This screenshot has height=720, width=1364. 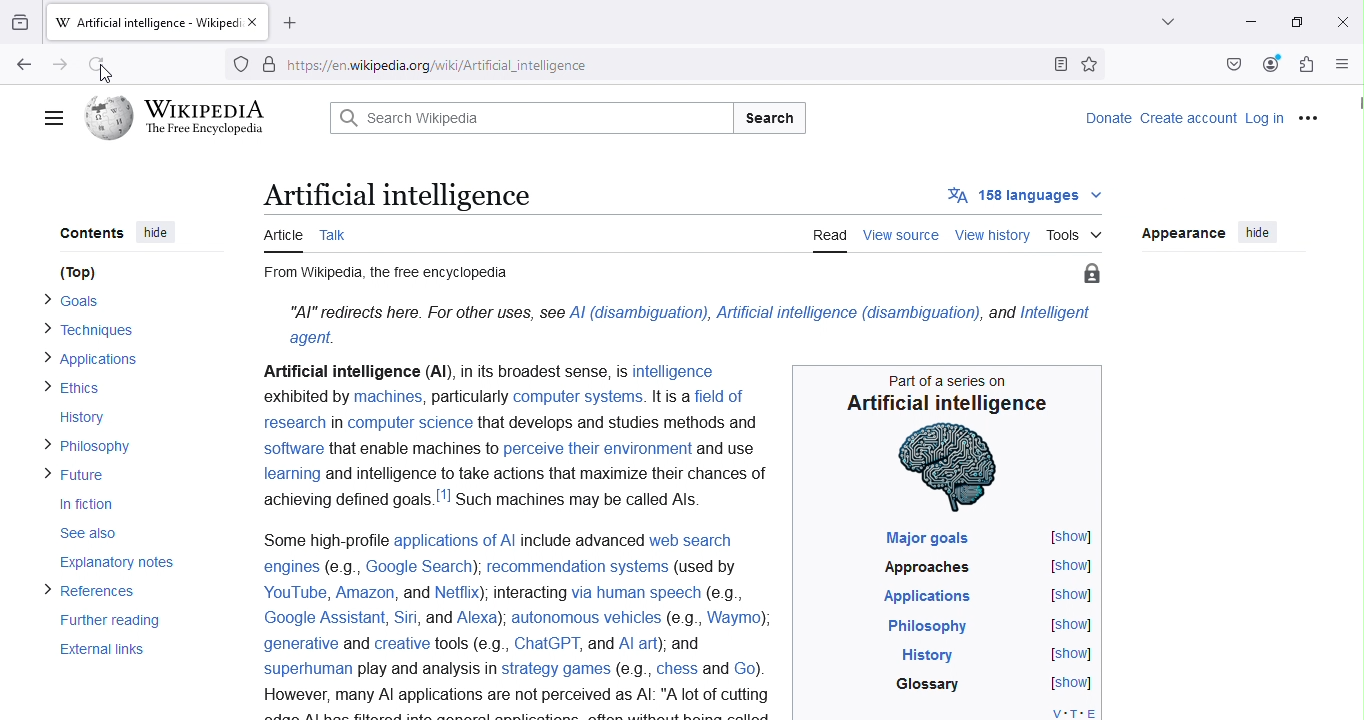 I want to click on Major goals, so click(x=930, y=542).